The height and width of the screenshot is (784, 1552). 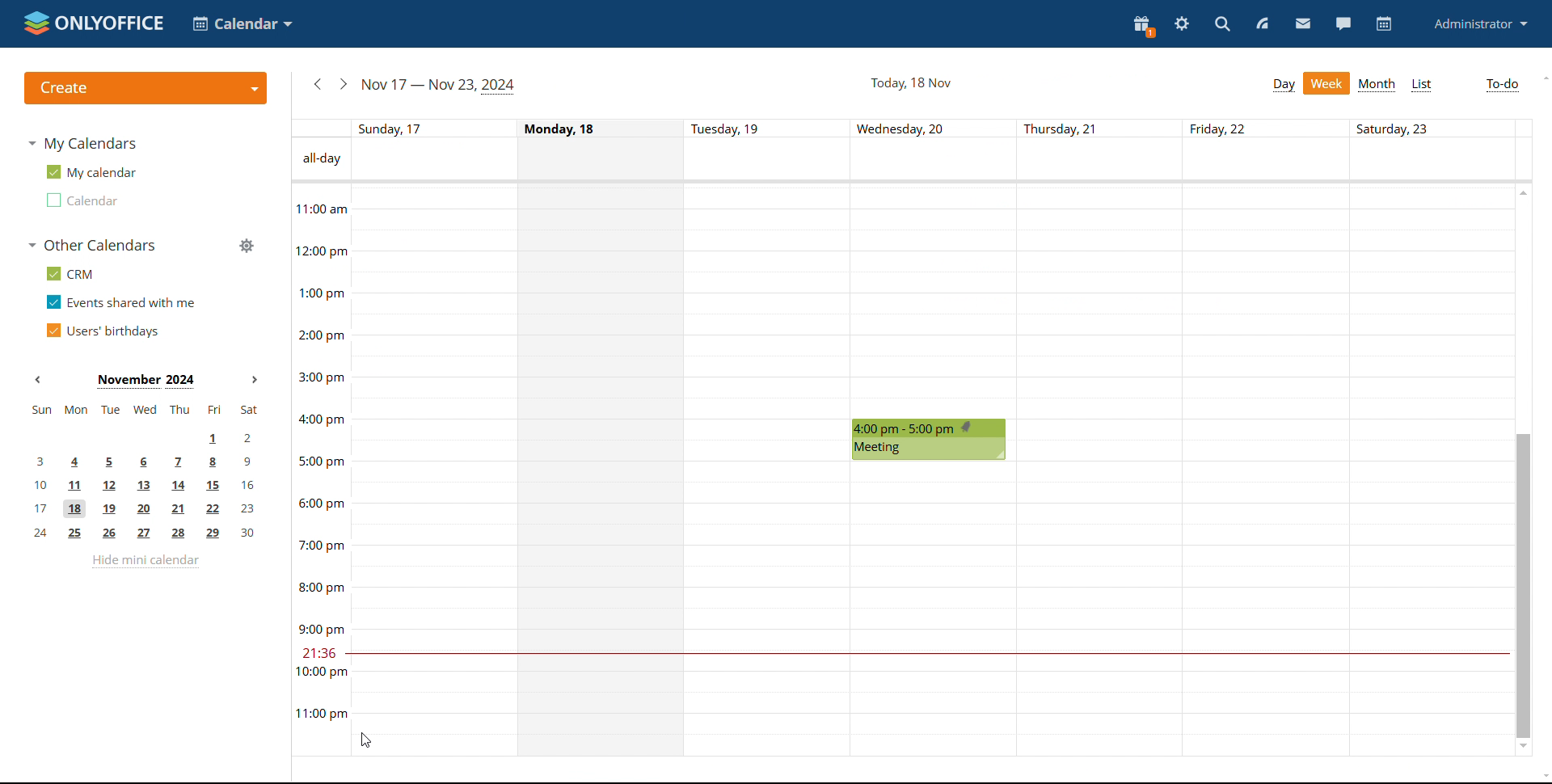 I want to click on list view, so click(x=1421, y=85).